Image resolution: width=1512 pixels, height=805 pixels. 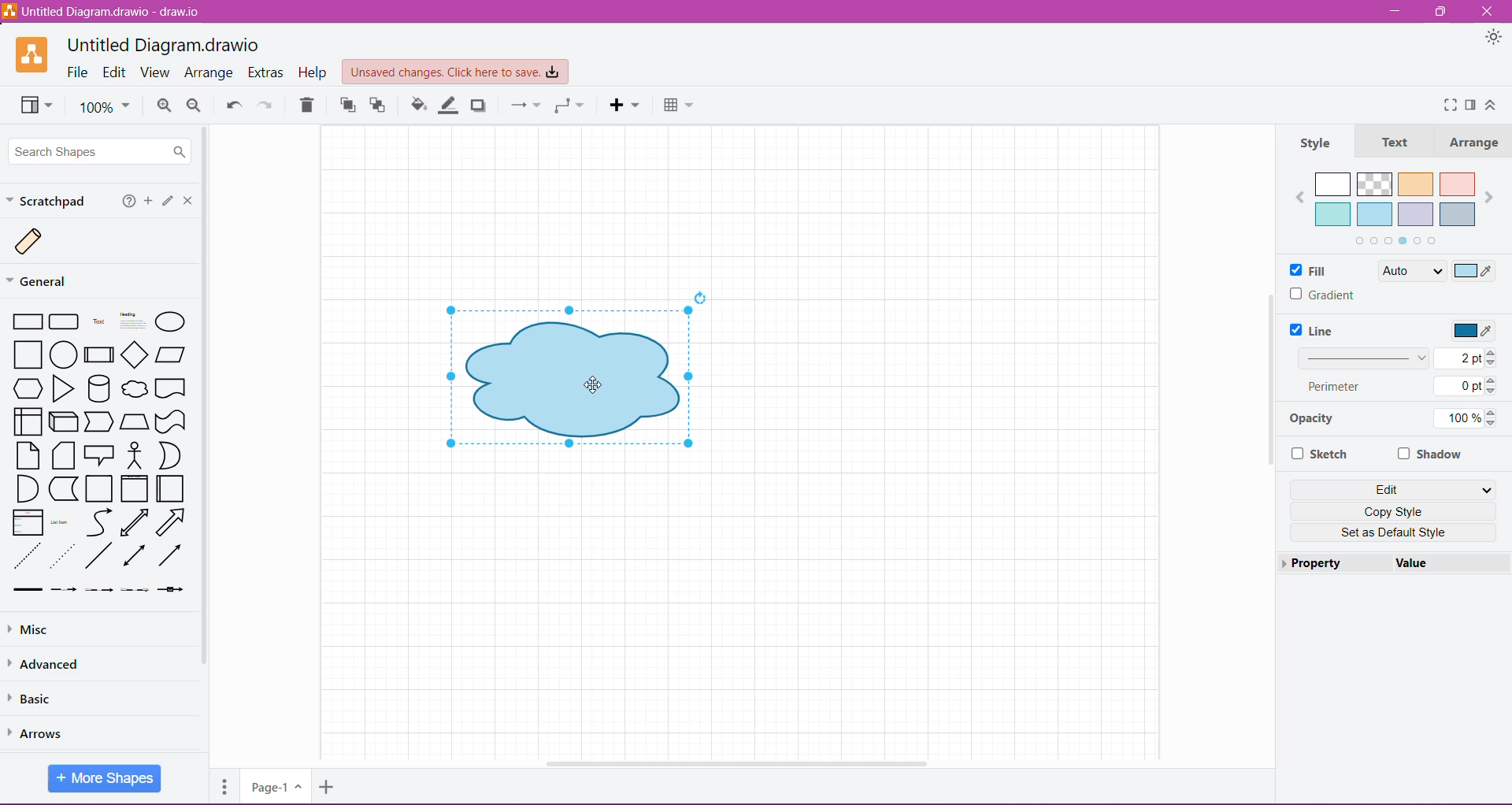 What do you see at coordinates (1395, 208) in the screenshot?
I see `Fill color palette` at bounding box center [1395, 208].